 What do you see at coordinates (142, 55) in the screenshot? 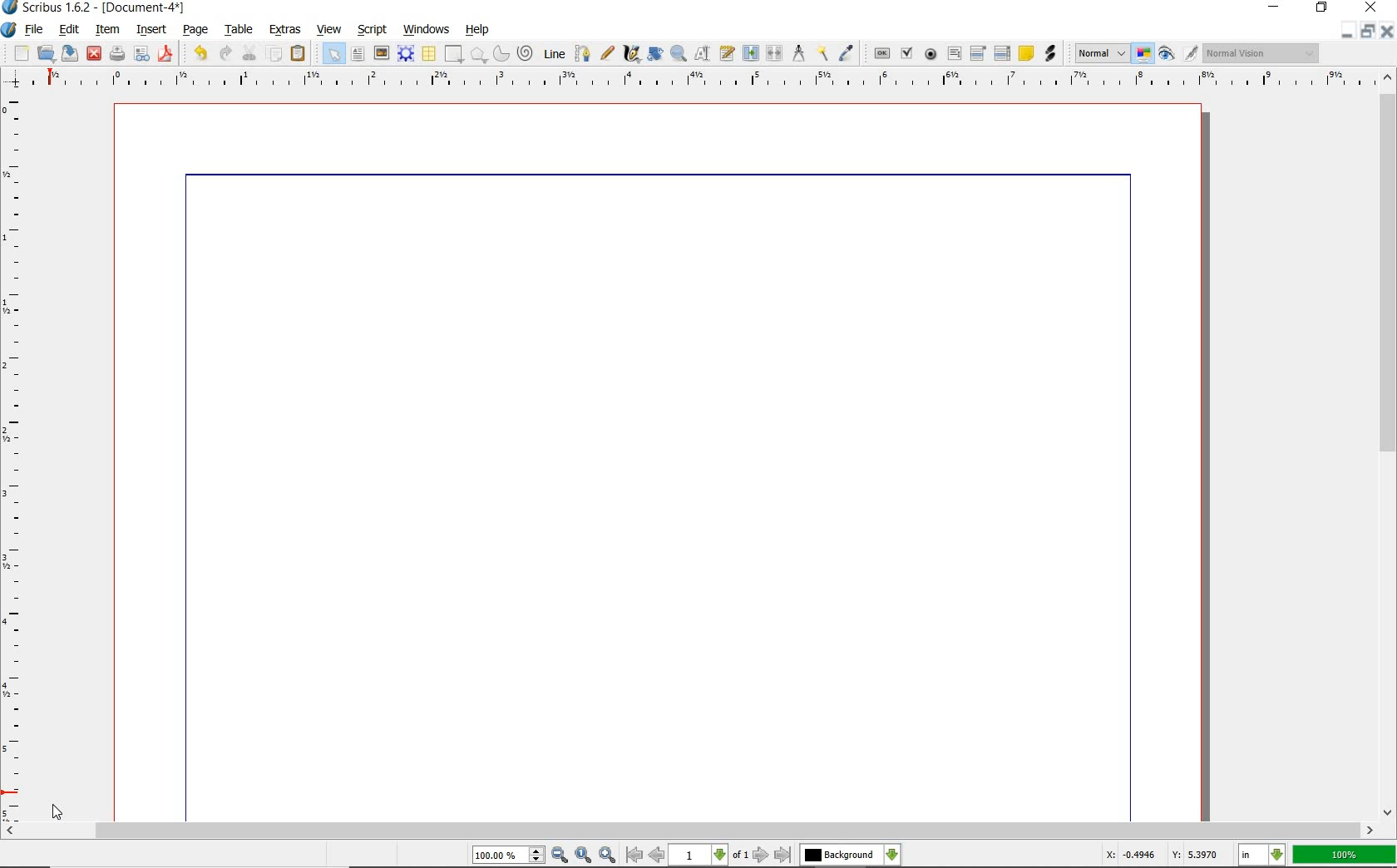
I see `preflight verifier` at bounding box center [142, 55].